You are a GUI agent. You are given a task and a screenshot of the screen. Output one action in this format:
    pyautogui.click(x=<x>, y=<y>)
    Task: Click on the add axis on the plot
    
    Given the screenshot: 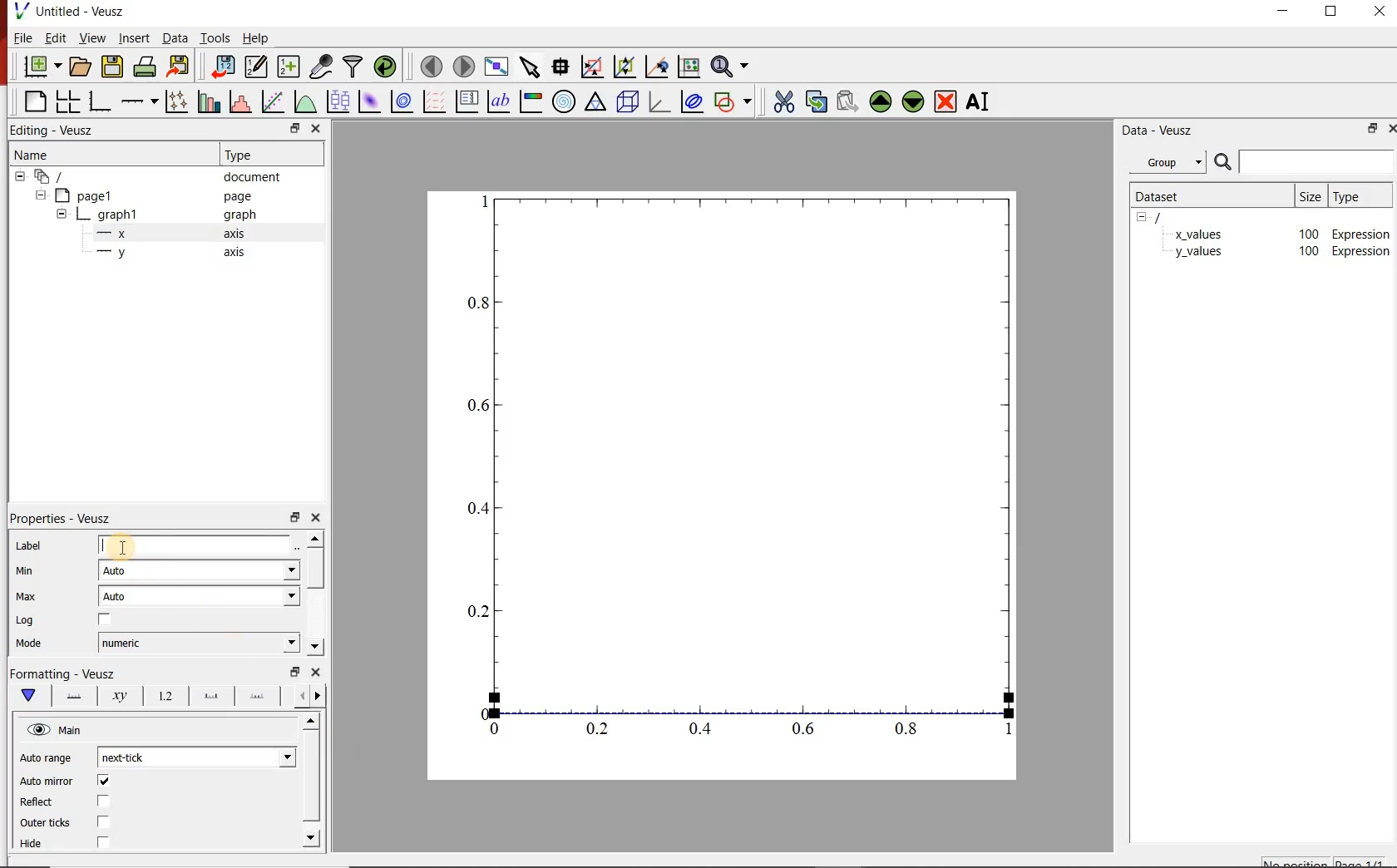 What is the action you would take?
    pyautogui.click(x=140, y=101)
    